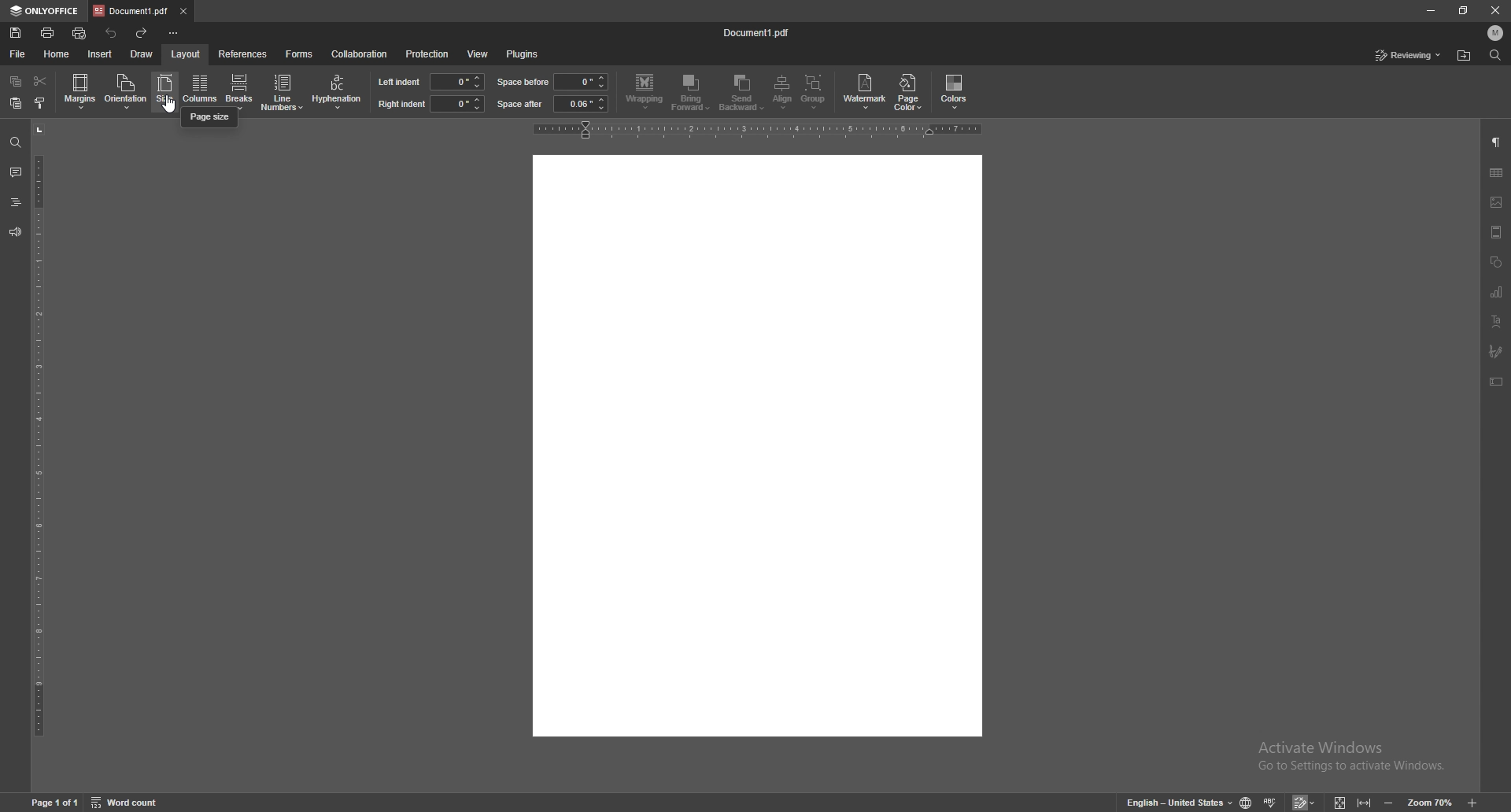 The width and height of the screenshot is (1511, 812). I want to click on zoom in, so click(1475, 801).